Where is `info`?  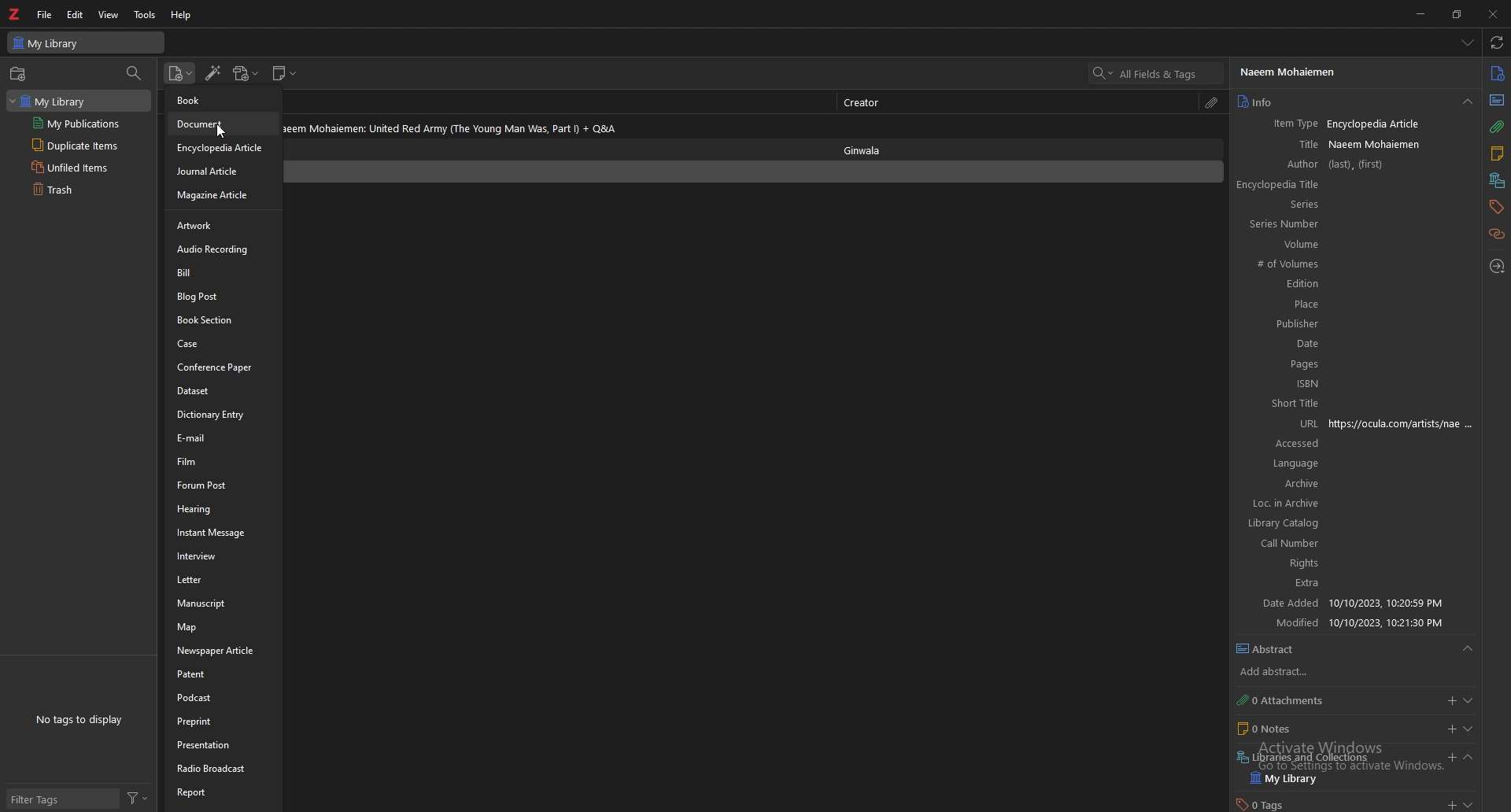 info is located at coordinates (1498, 72).